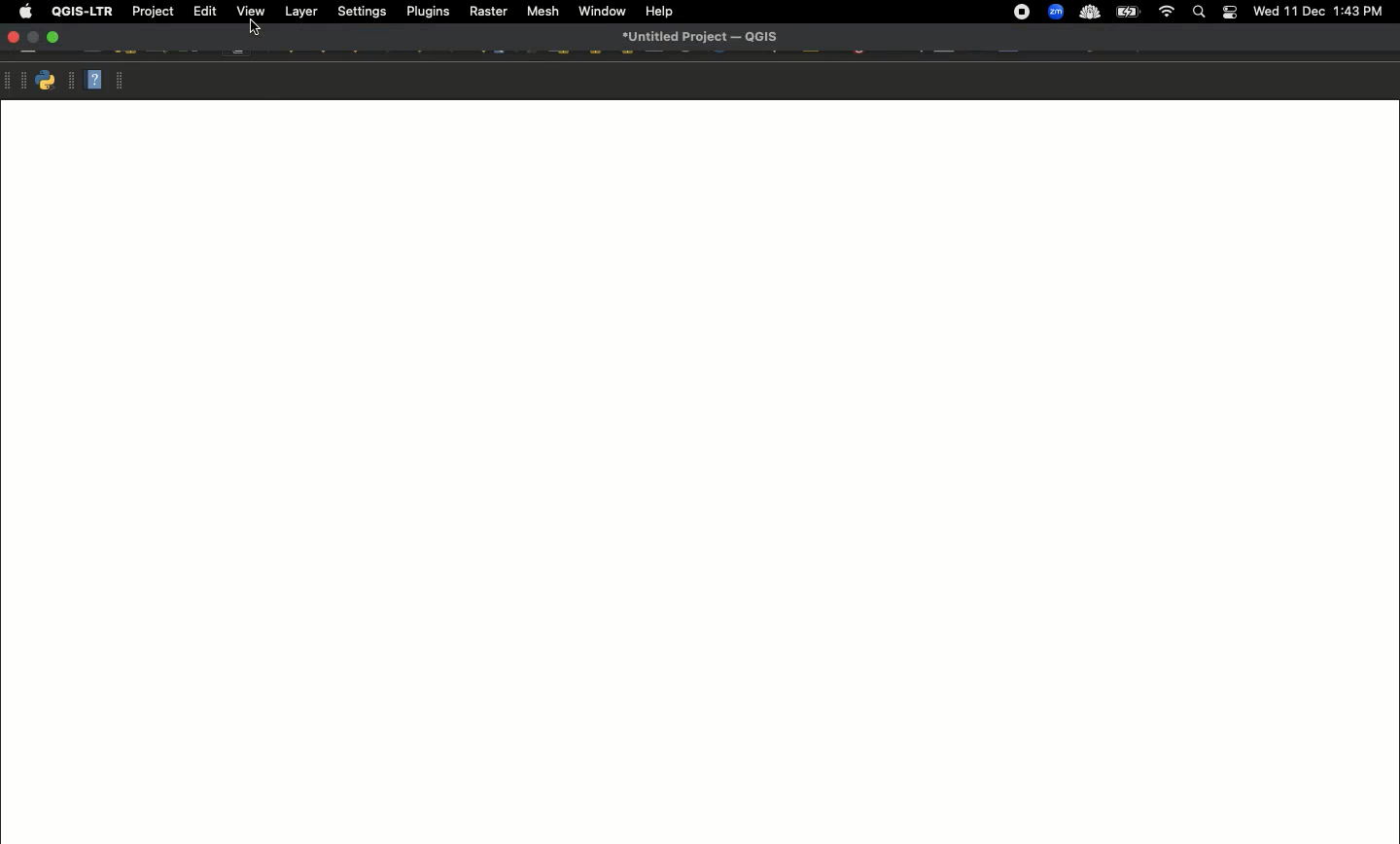 The width and height of the screenshot is (1400, 844). What do you see at coordinates (52, 37) in the screenshot?
I see `Maximize` at bounding box center [52, 37].